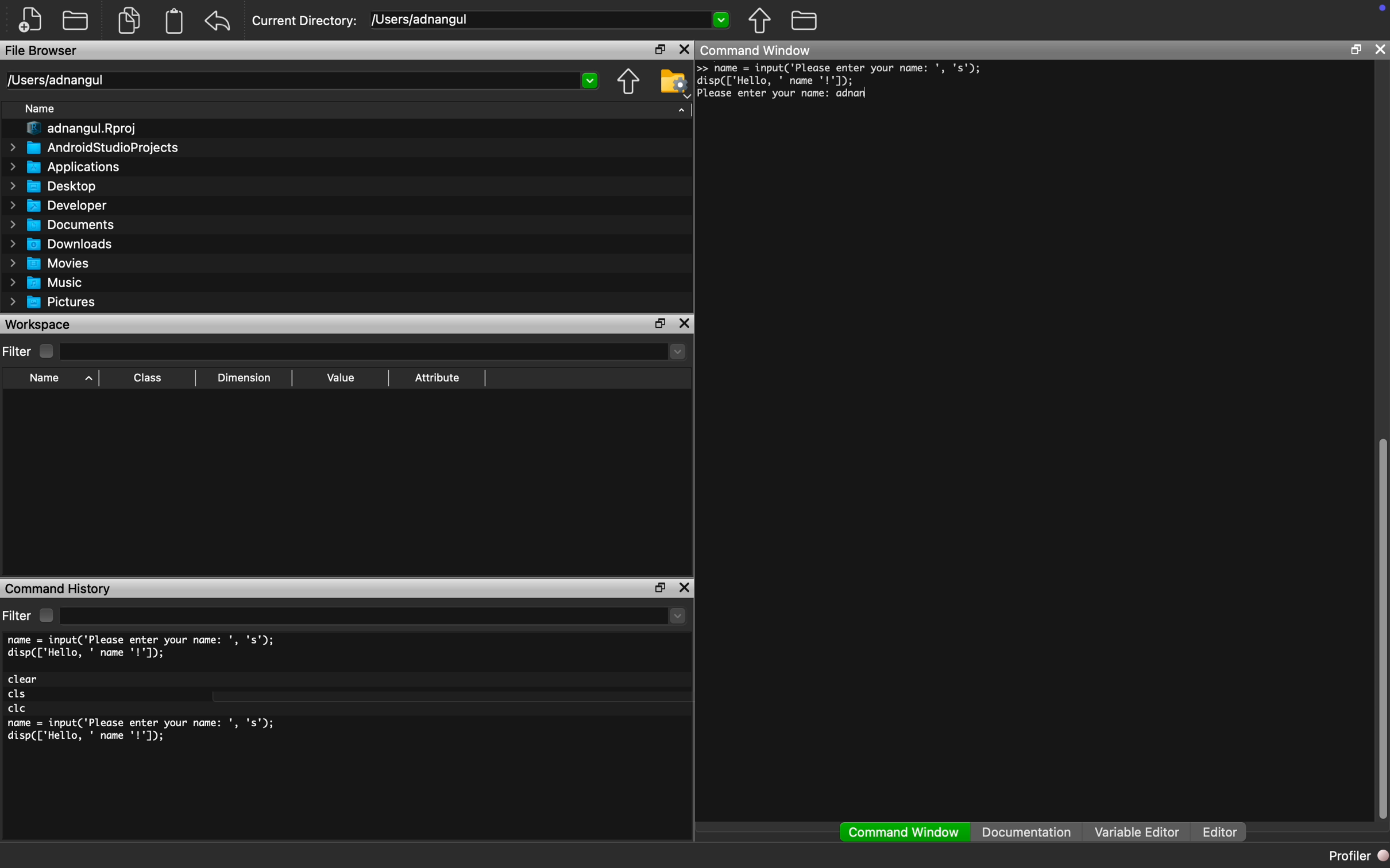 This screenshot has width=1390, height=868. Describe the element at coordinates (145, 378) in the screenshot. I see `Class` at that location.